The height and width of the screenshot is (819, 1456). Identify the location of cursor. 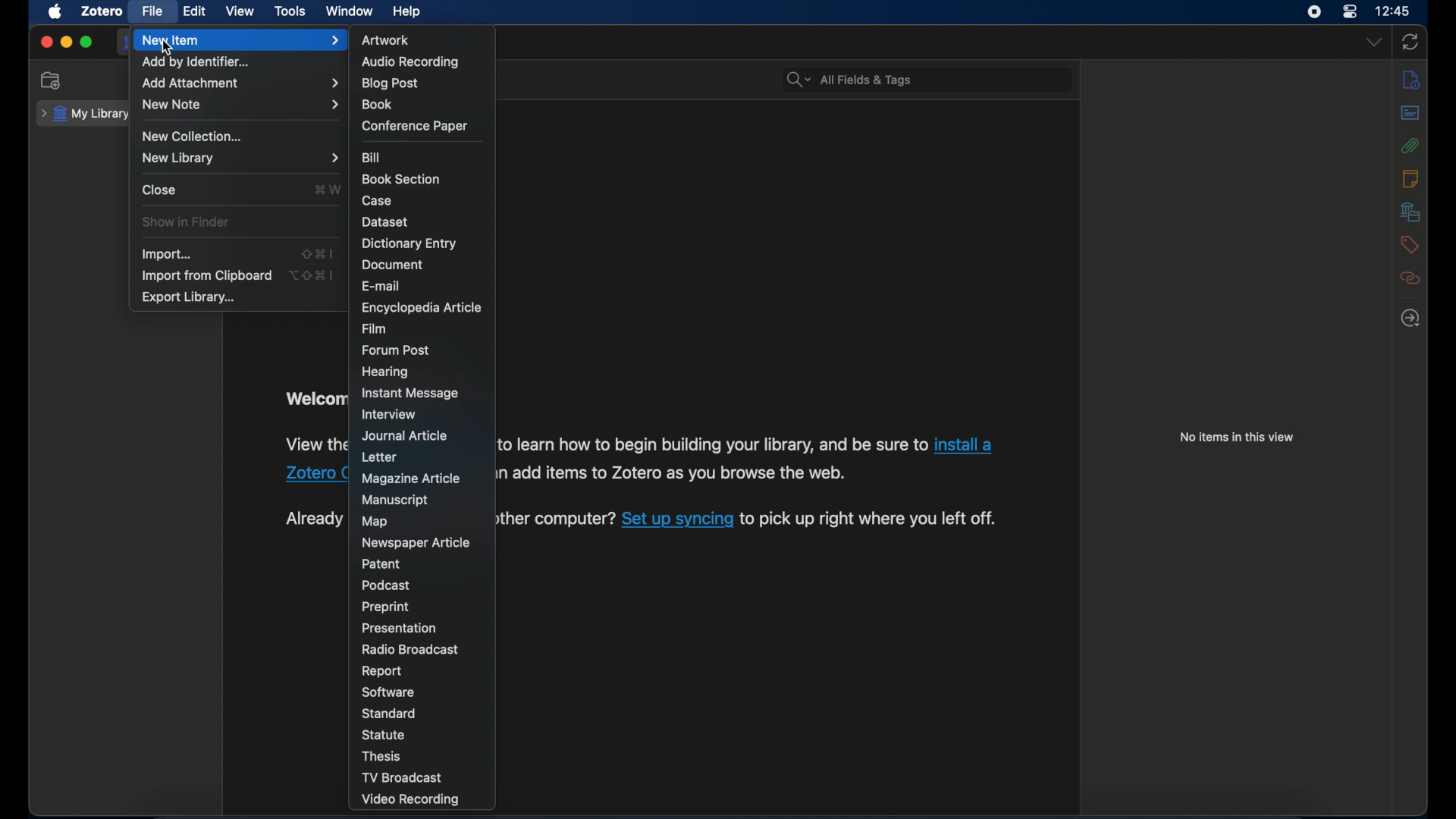
(168, 48).